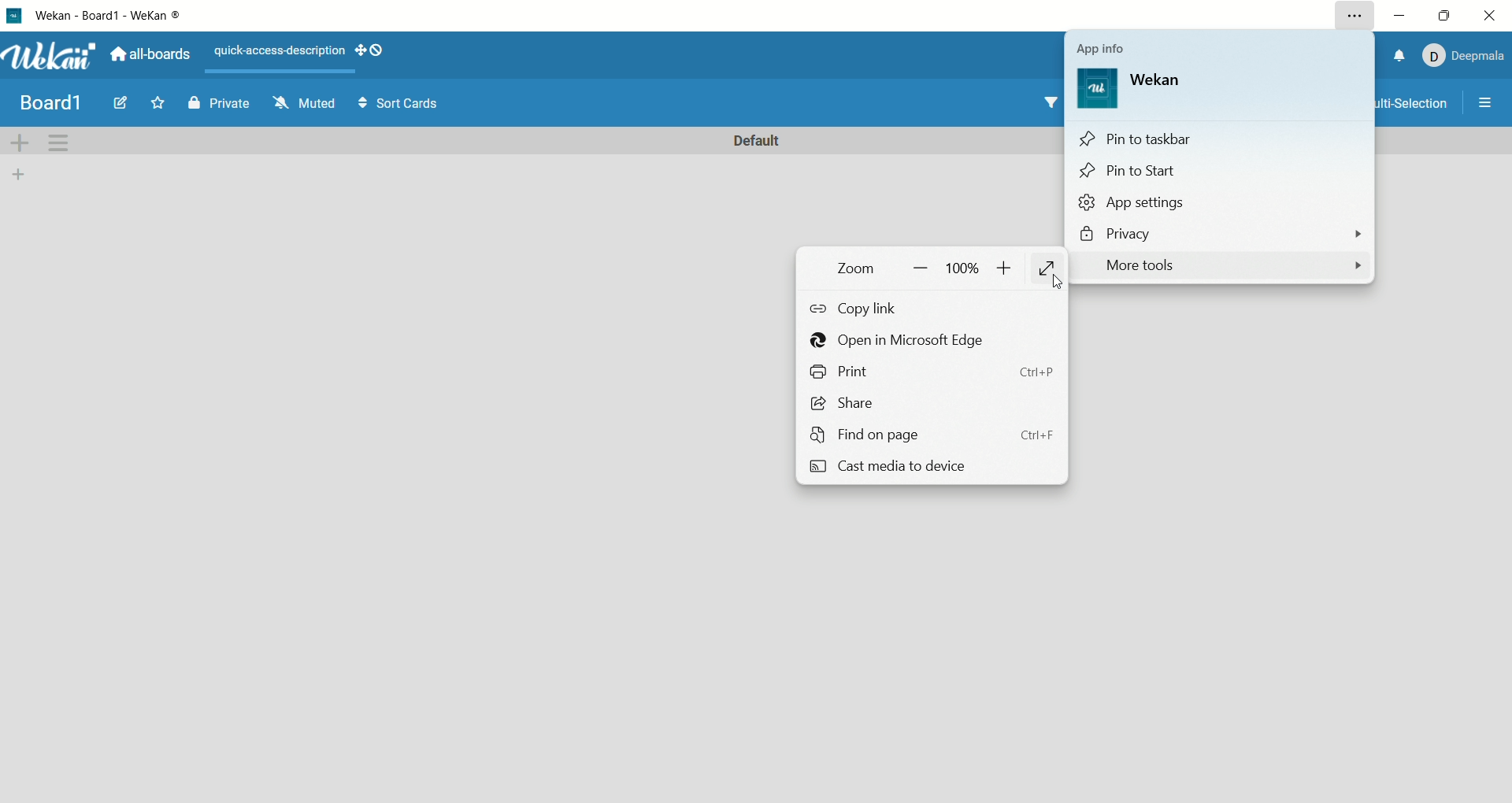 This screenshot has width=1512, height=803. I want to click on favorite, so click(160, 102).